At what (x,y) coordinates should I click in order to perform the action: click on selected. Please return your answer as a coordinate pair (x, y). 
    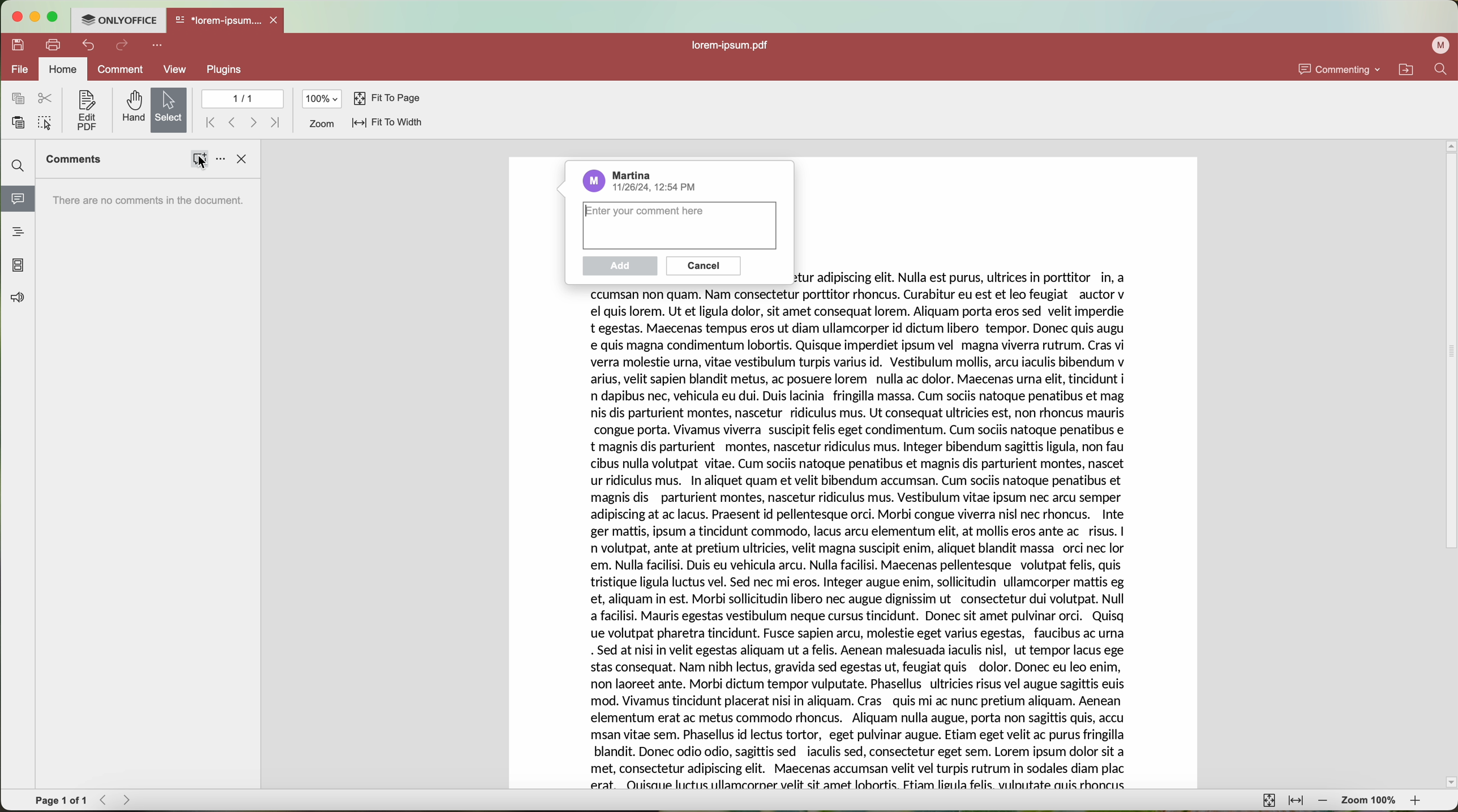
    Looking at the image, I should click on (170, 110).